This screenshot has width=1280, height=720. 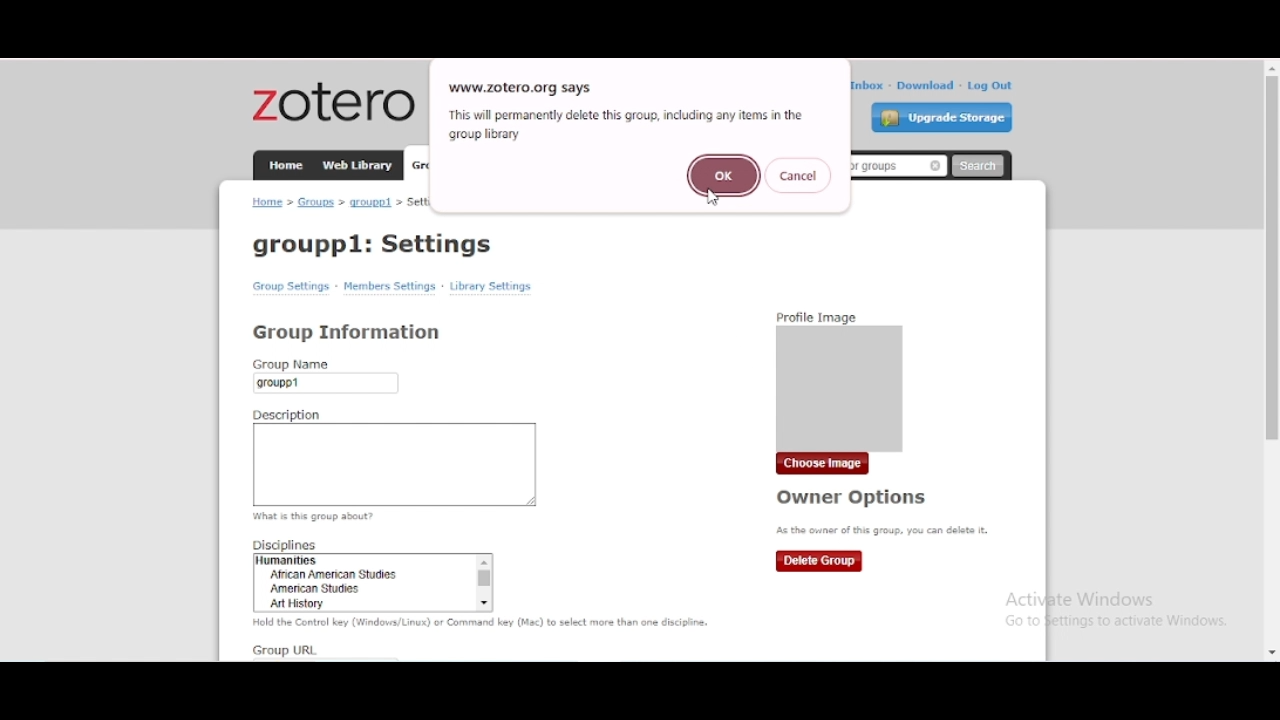 What do you see at coordinates (882, 531) in the screenshot?
I see `as the owner of this group, you can delete it.` at bounding box center [882, 531].